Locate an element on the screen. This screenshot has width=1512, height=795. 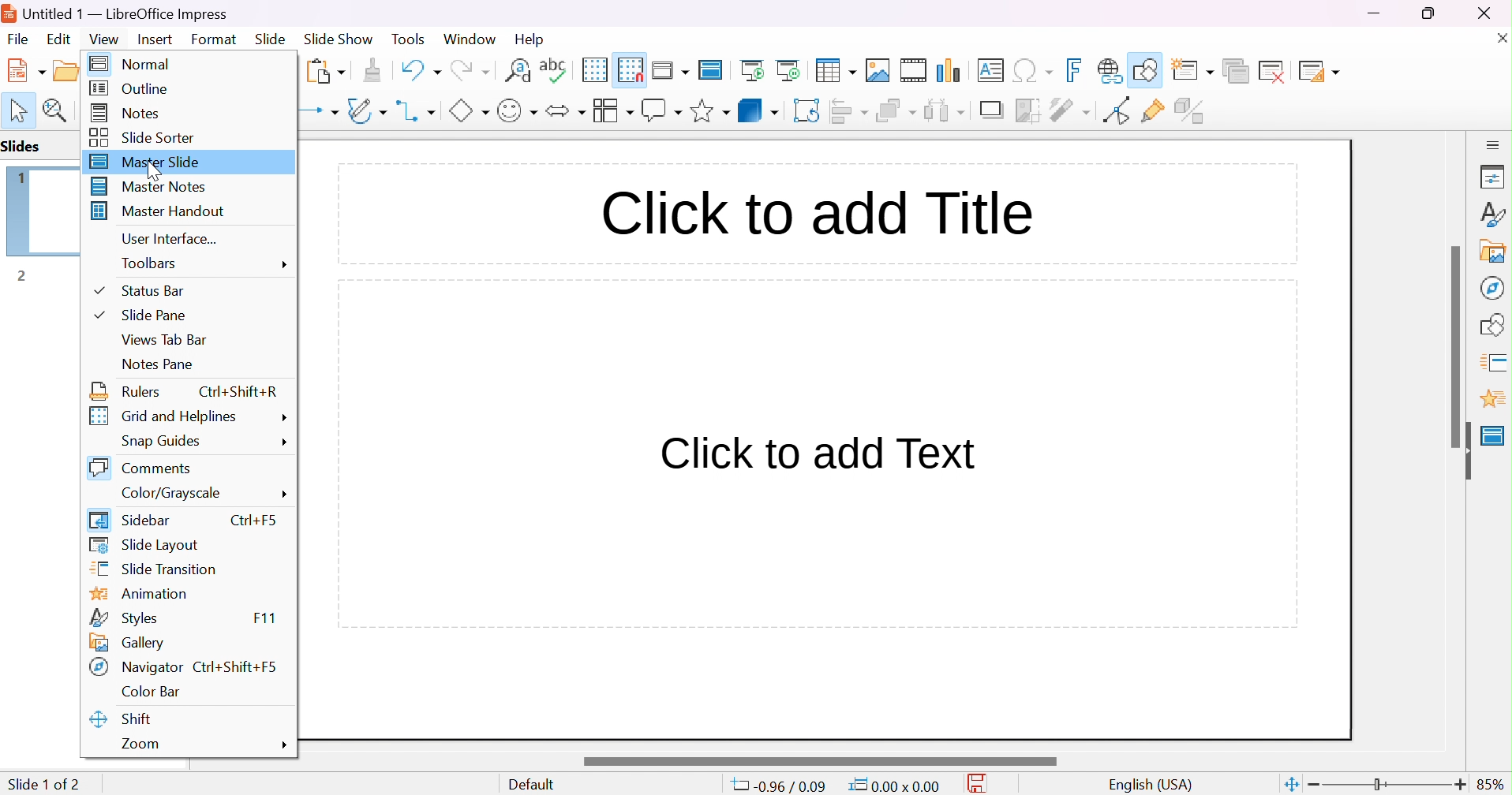
85% is located at coordinates (1491, 784).